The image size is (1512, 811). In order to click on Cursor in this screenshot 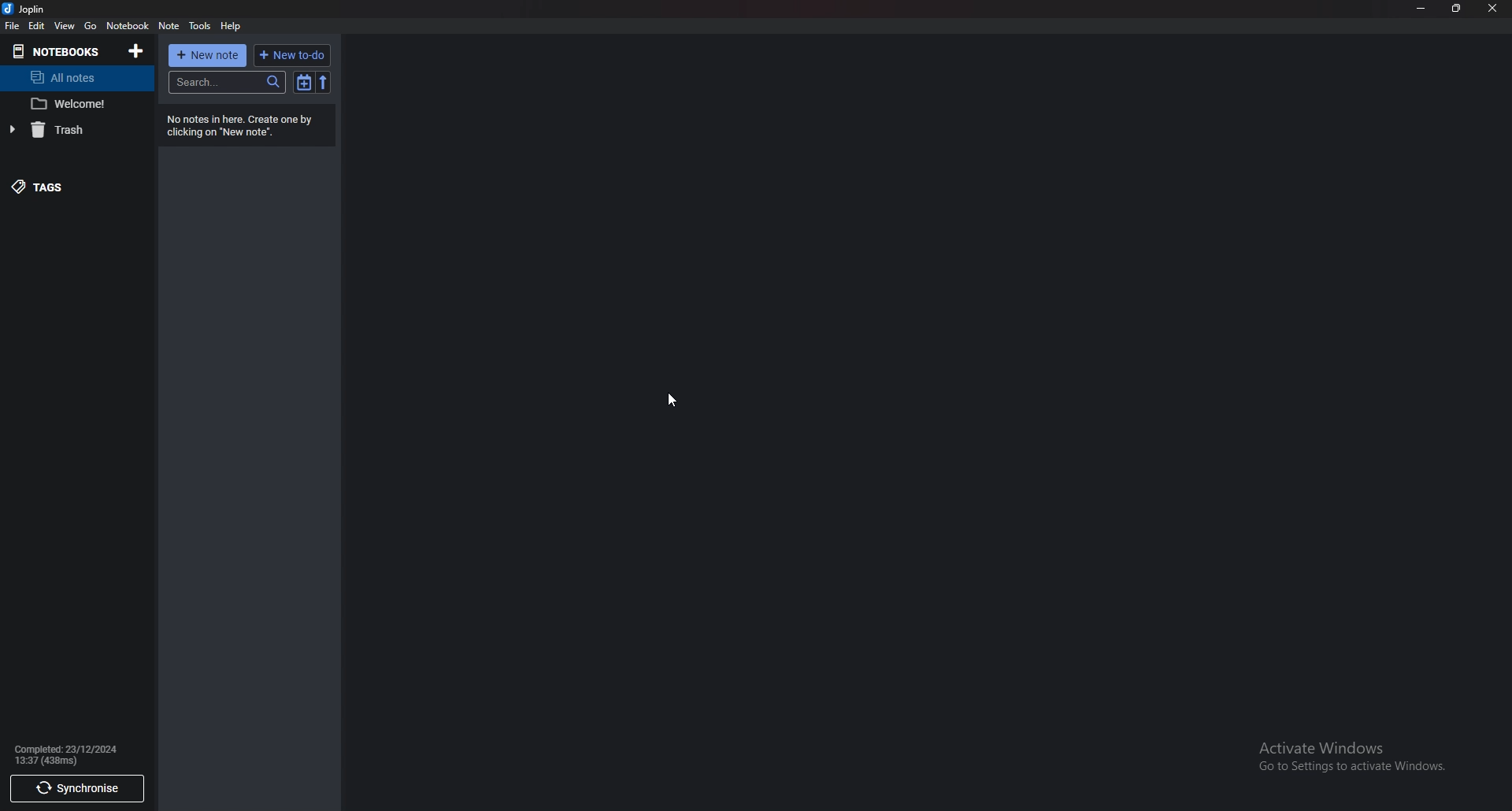, I will do `click(673, 401)`.